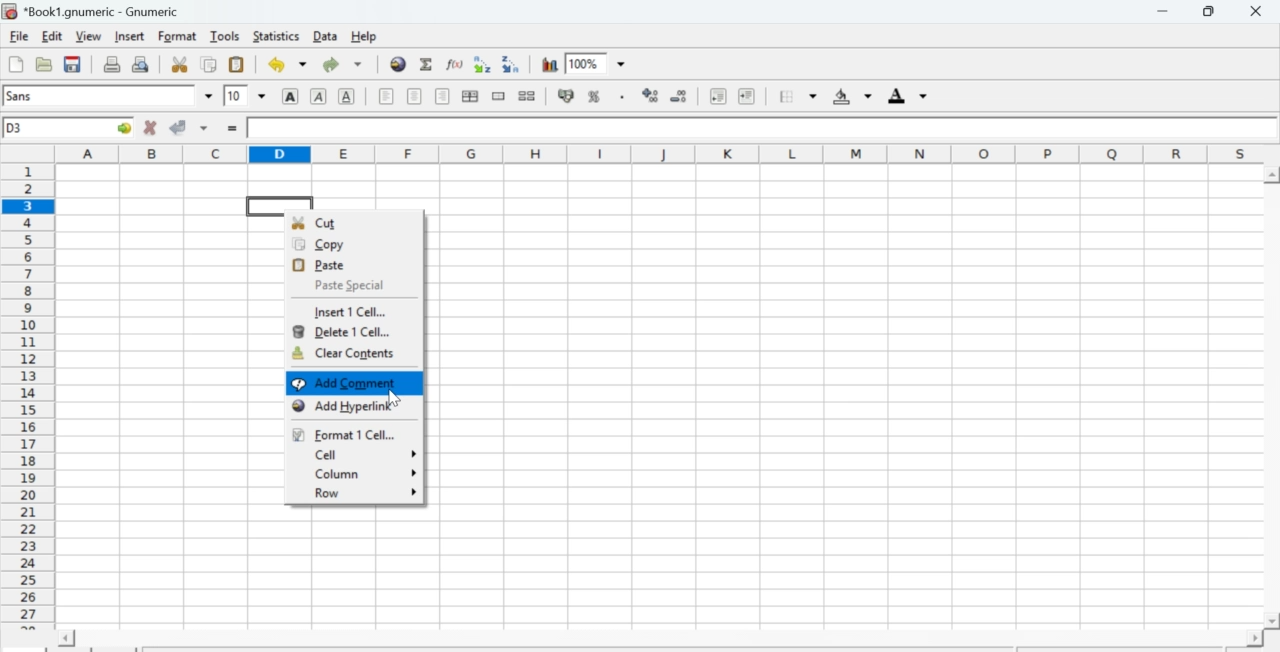  I want to click on Format the selection as accounting, so click(566, 95).